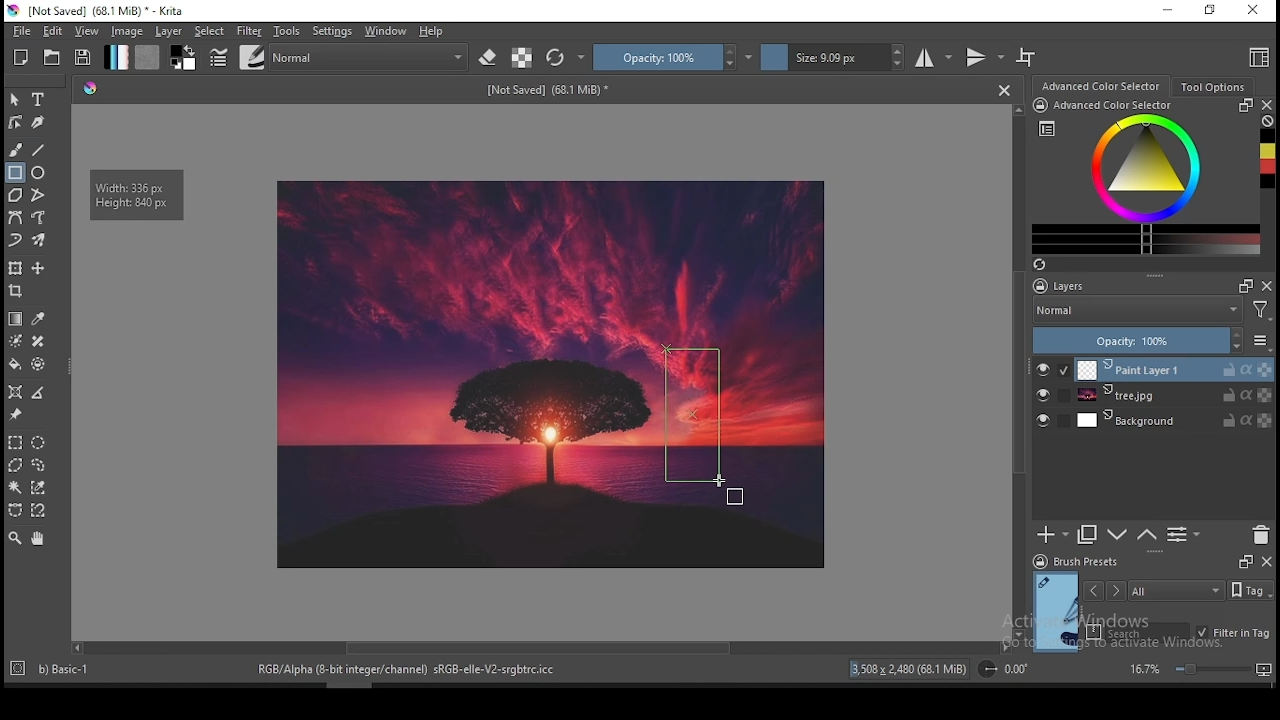 This screenshot has width=1280, height=720. What do you see at coordinates (84, 58) in the screenshot?
I see `save` at bounding box center [84, 58].